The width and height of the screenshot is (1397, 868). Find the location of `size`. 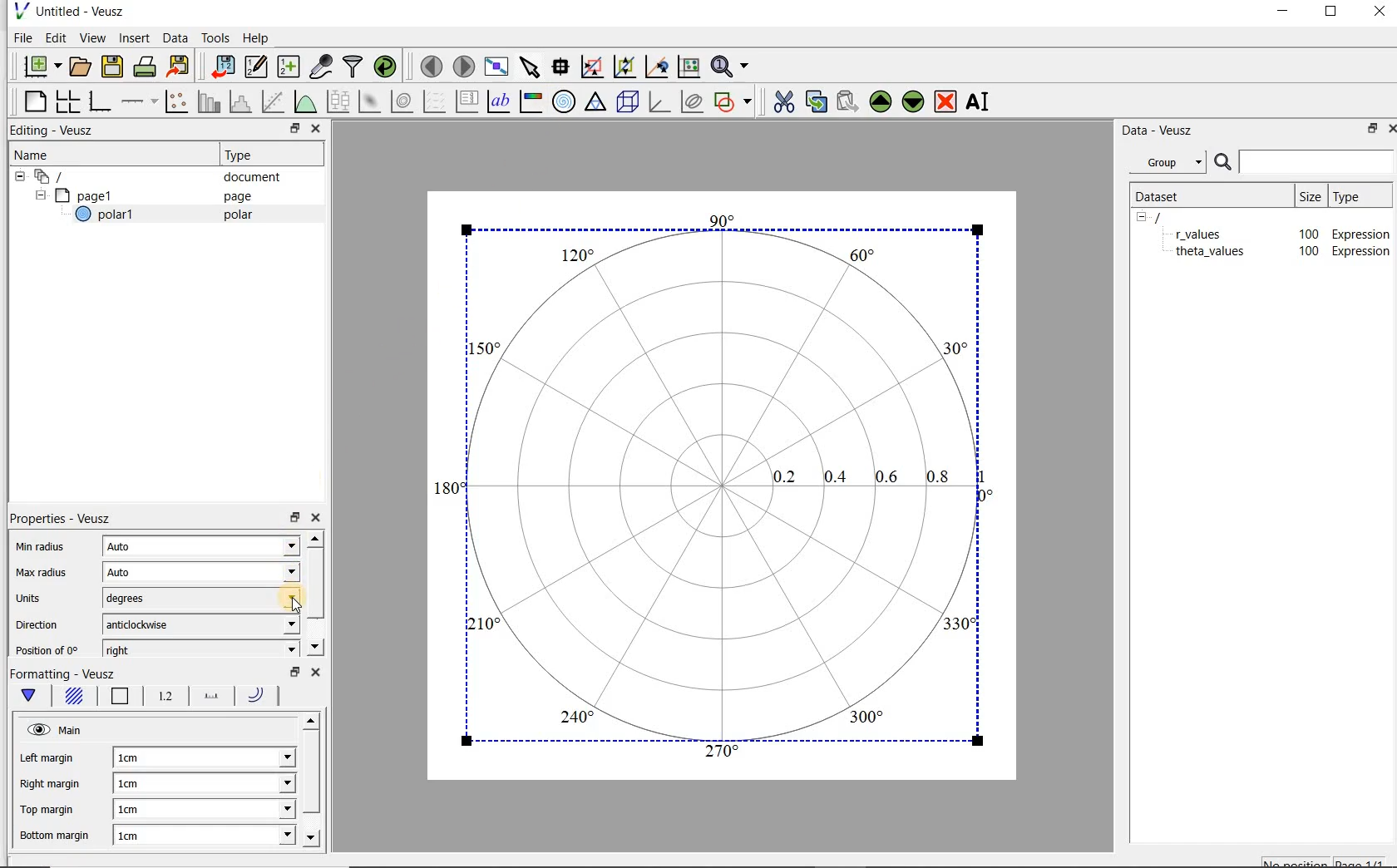

size is located at coordinates (1309, 194).